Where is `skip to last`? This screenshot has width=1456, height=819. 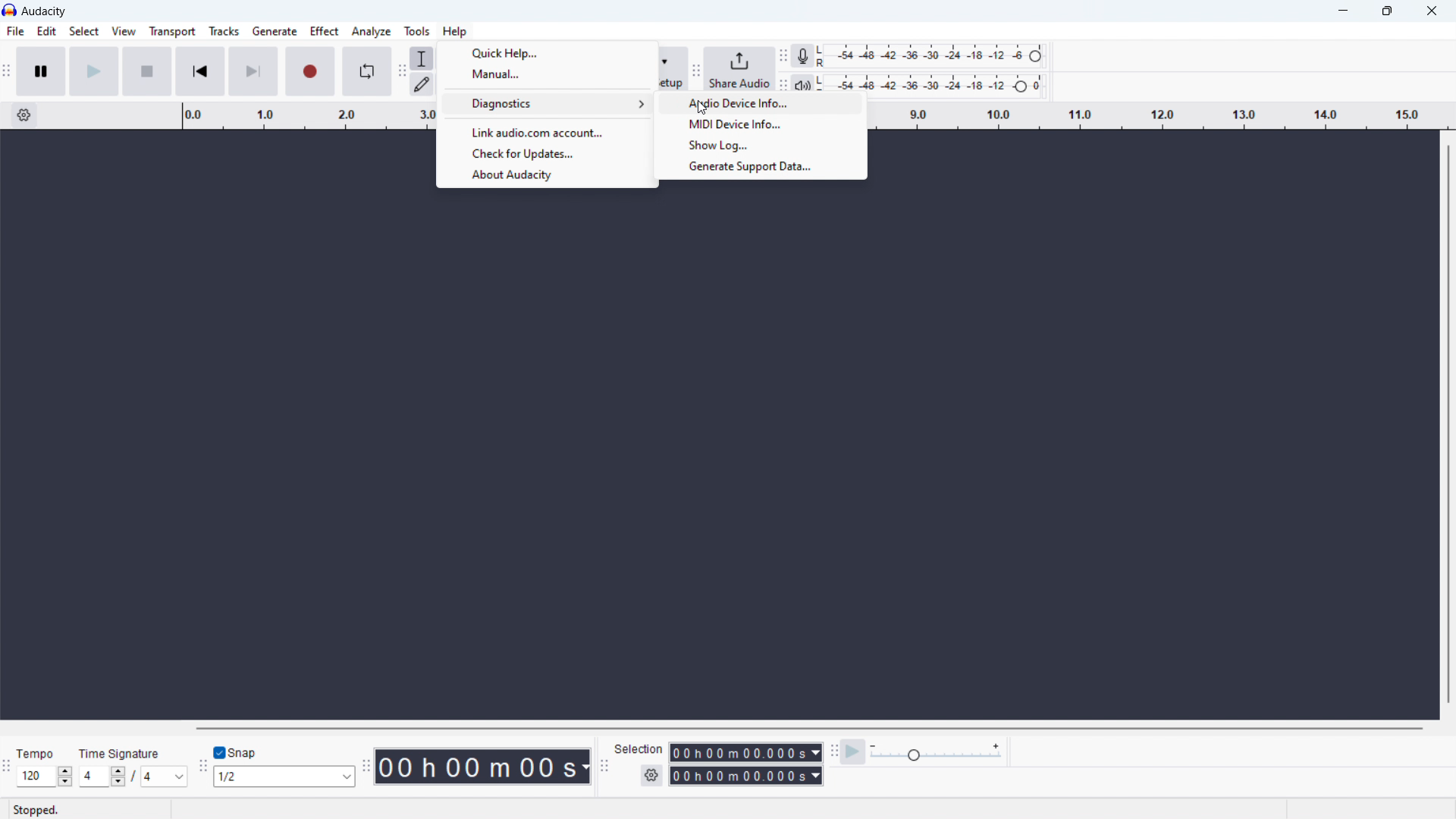
skip to last is located at coordinates (253, 71).